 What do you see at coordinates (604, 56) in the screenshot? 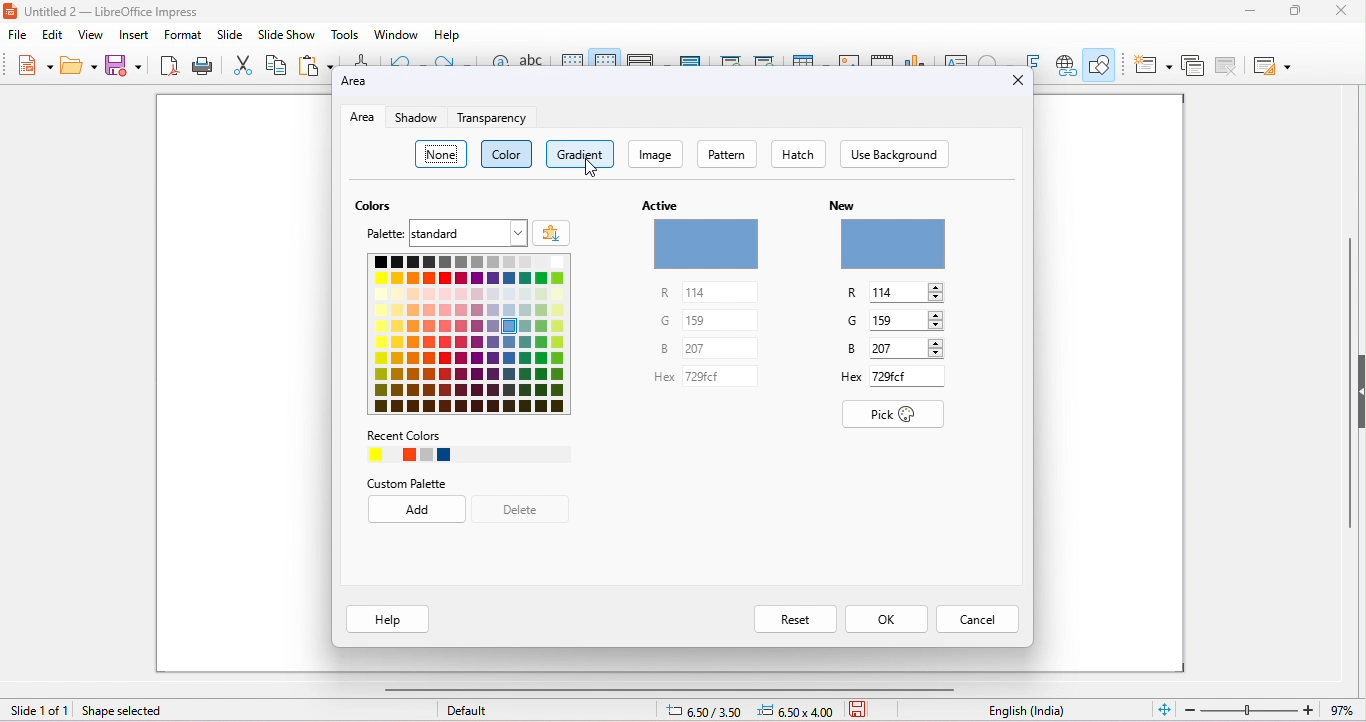
I see `snap to grid` at bounding box center [604, 56].